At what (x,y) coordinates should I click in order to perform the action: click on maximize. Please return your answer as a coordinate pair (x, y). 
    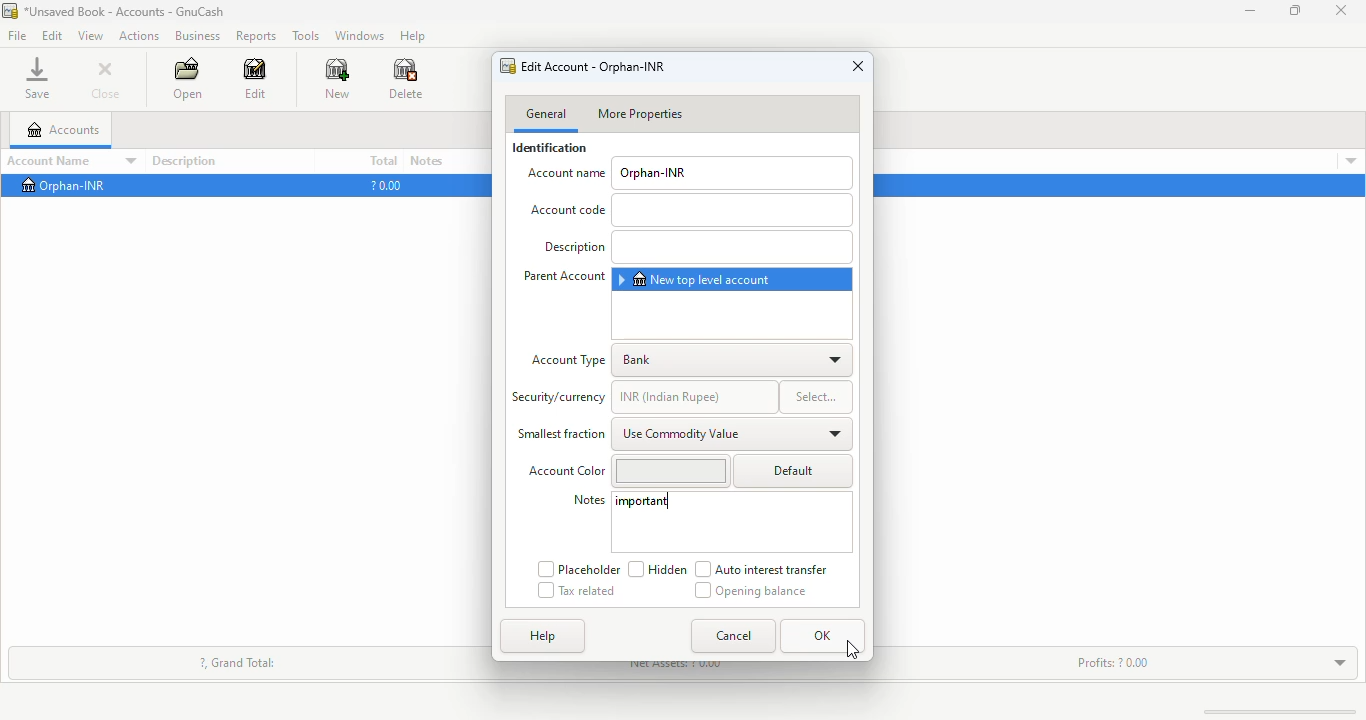
    Looking at the image, I should click on (1296, 11).